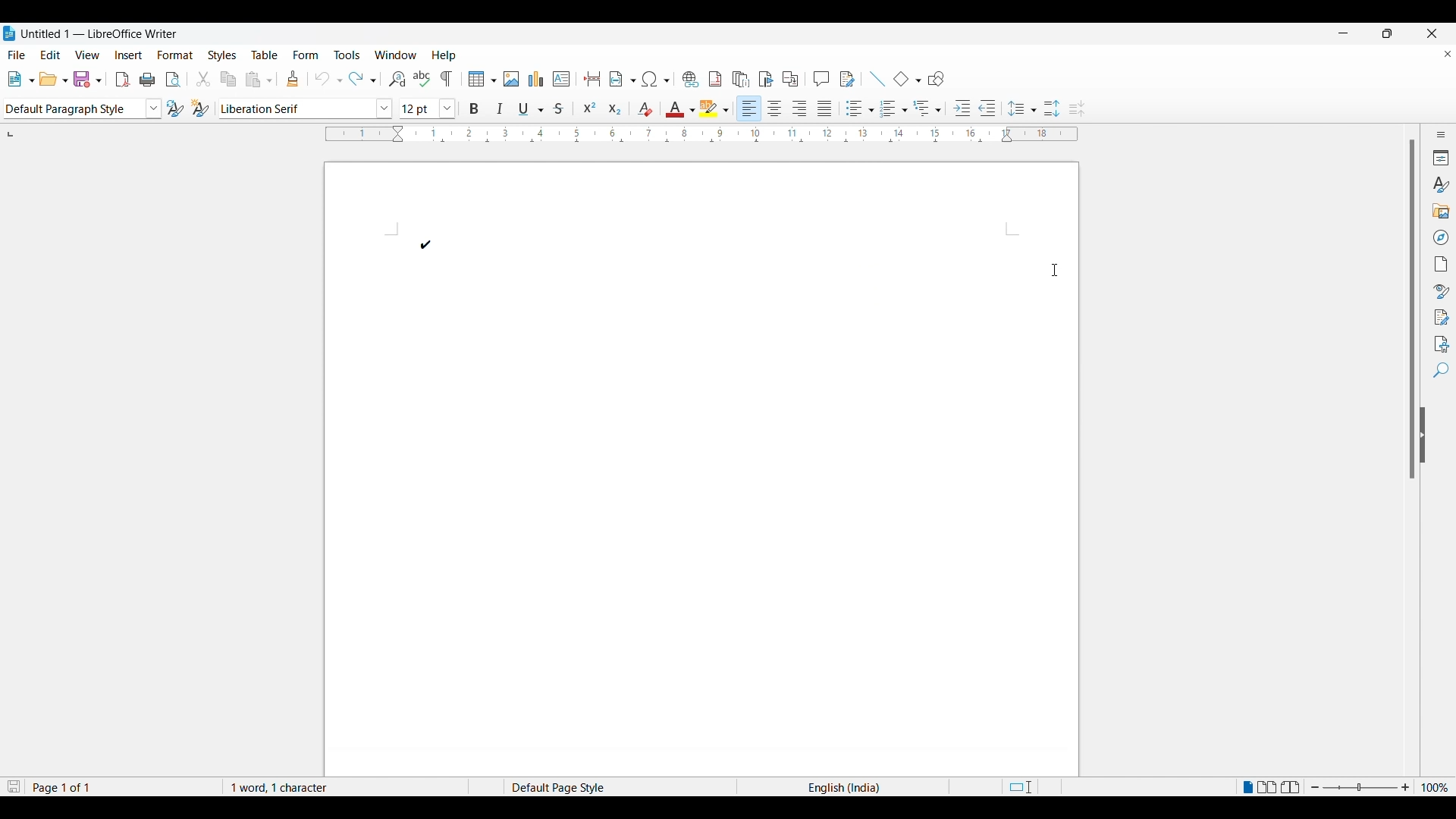 This screenshot has height=819, width=1456. What do you see at coordinates (716, 106) in the screenshot?
I see `hightlight color` at bounding box center [716, 106].